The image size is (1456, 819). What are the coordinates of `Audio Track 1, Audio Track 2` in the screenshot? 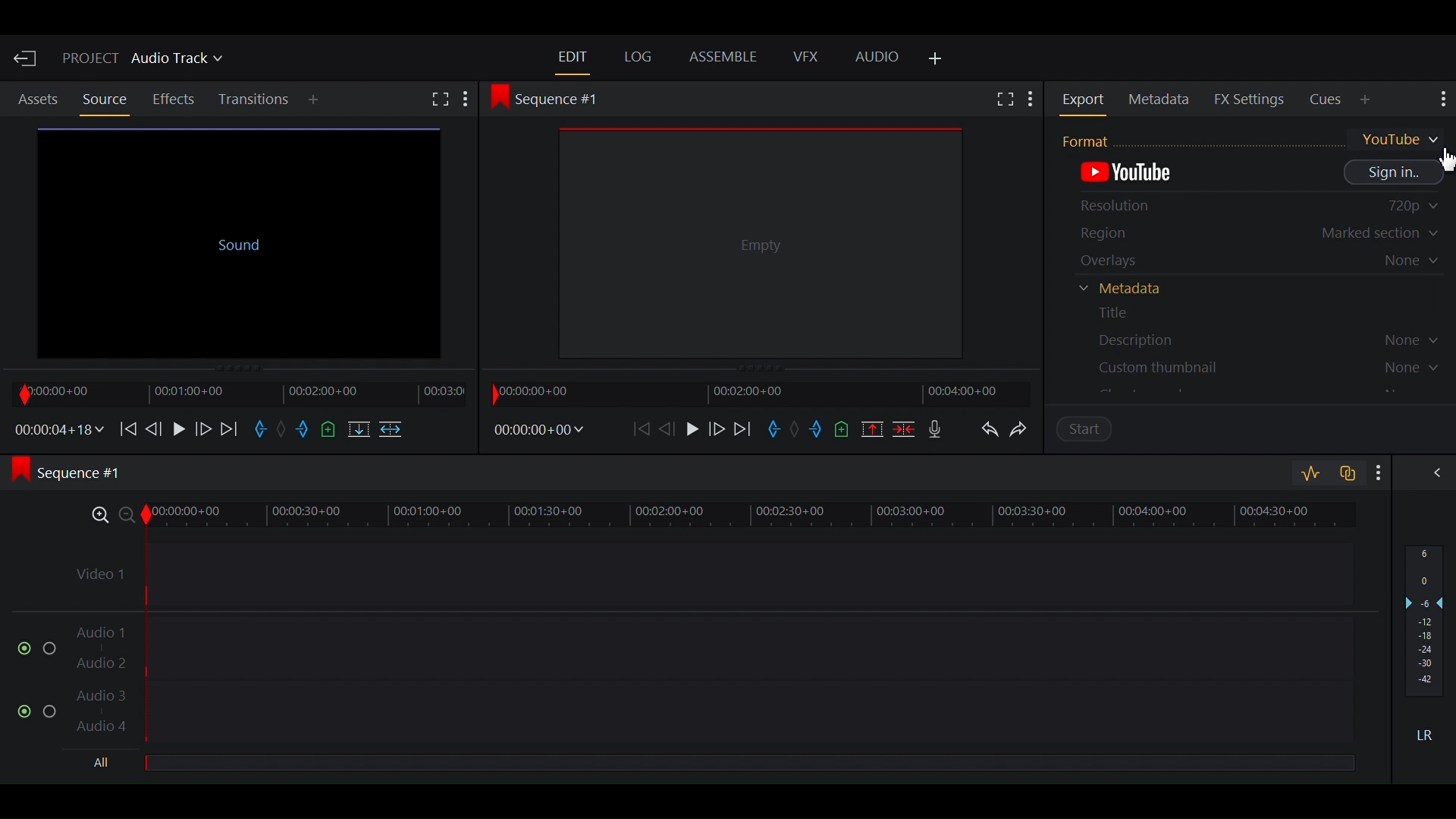 It's located at (712, 641).